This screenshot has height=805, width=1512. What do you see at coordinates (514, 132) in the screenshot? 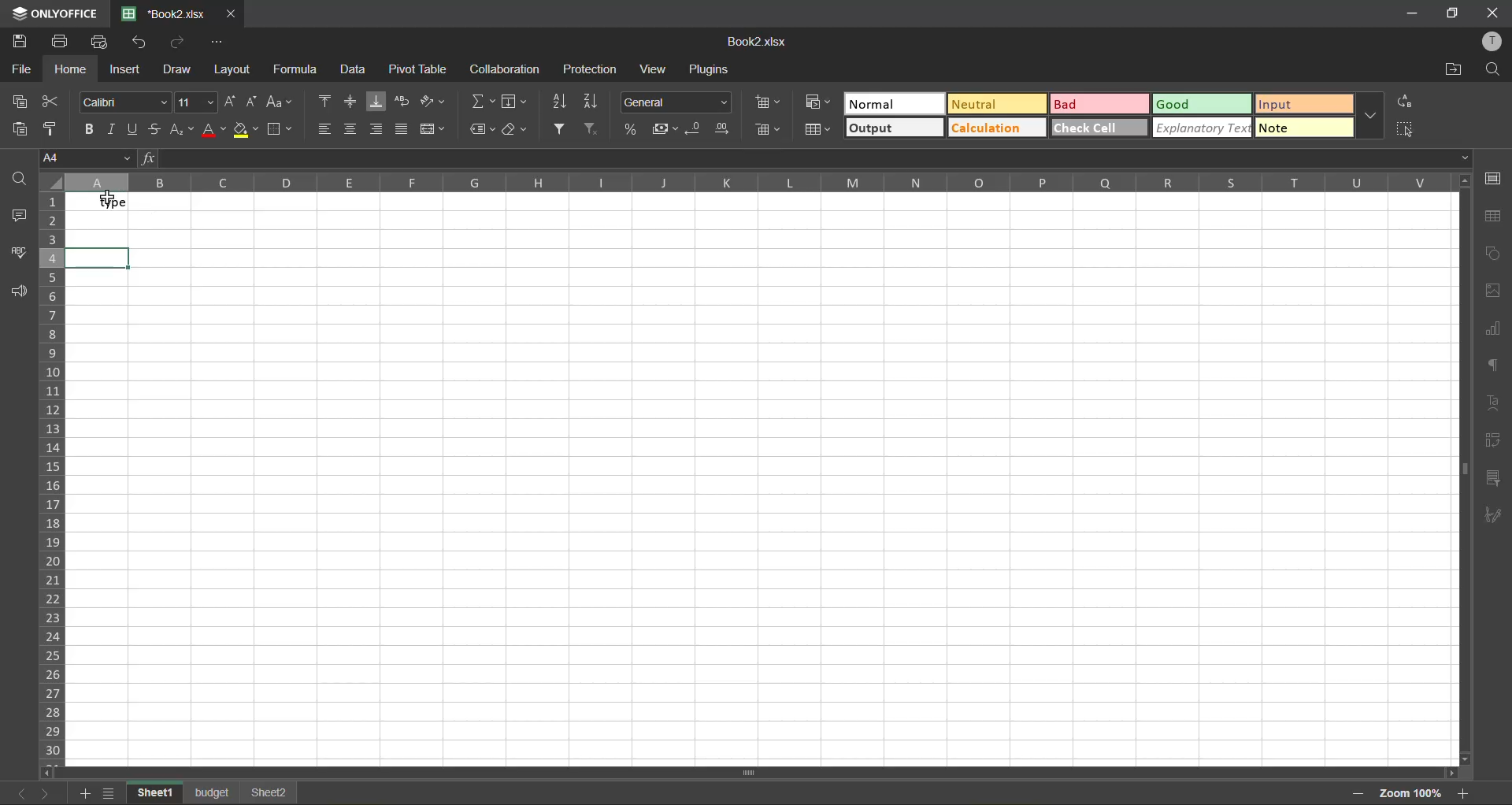
I see `clear` at bounding box center [514, 132].